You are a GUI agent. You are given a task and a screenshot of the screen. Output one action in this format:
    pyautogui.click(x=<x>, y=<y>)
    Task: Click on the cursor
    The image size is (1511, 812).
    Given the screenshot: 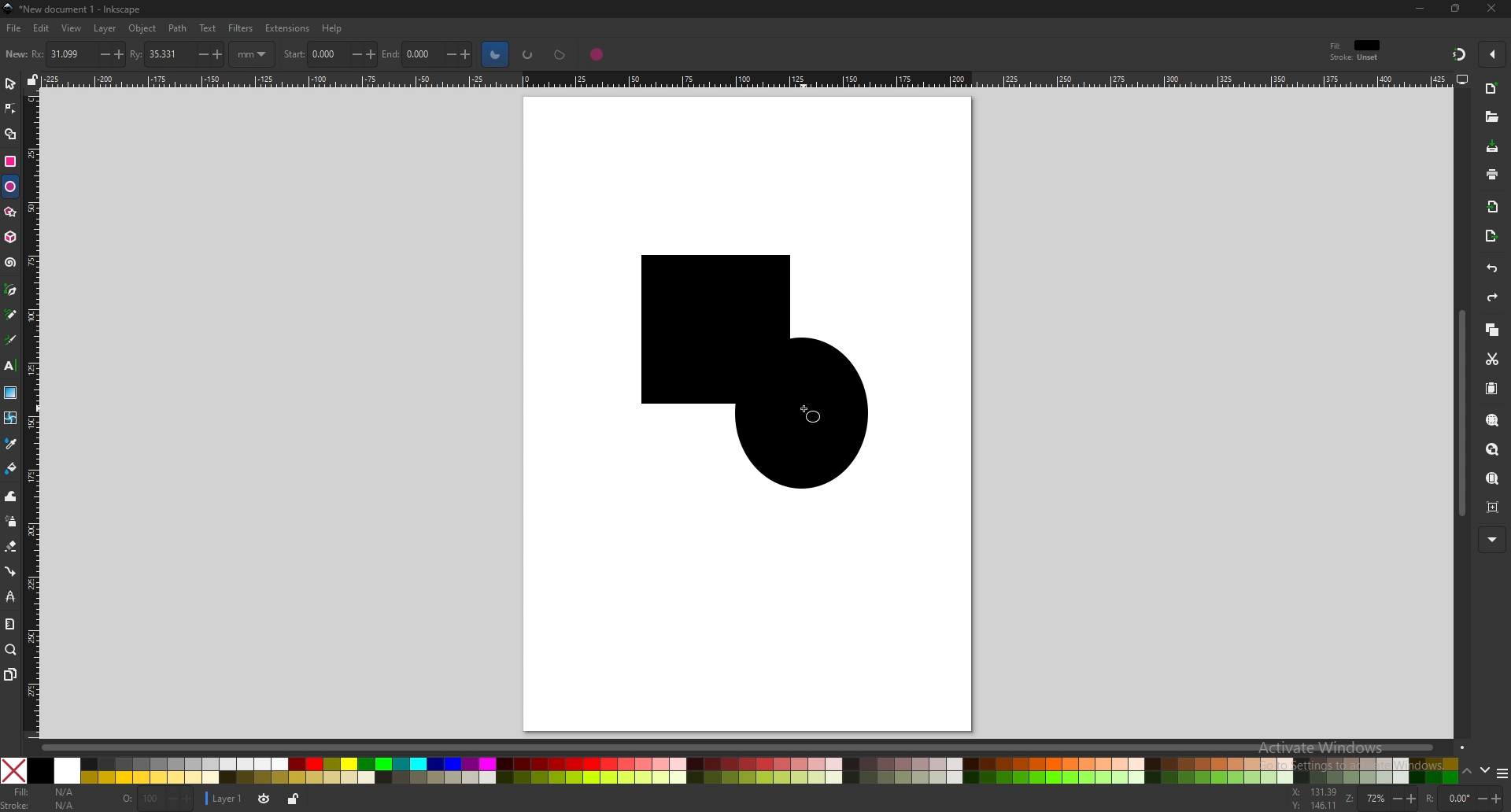 What is the action you would take?
    pyautogui.click(x=810, y=415)
    